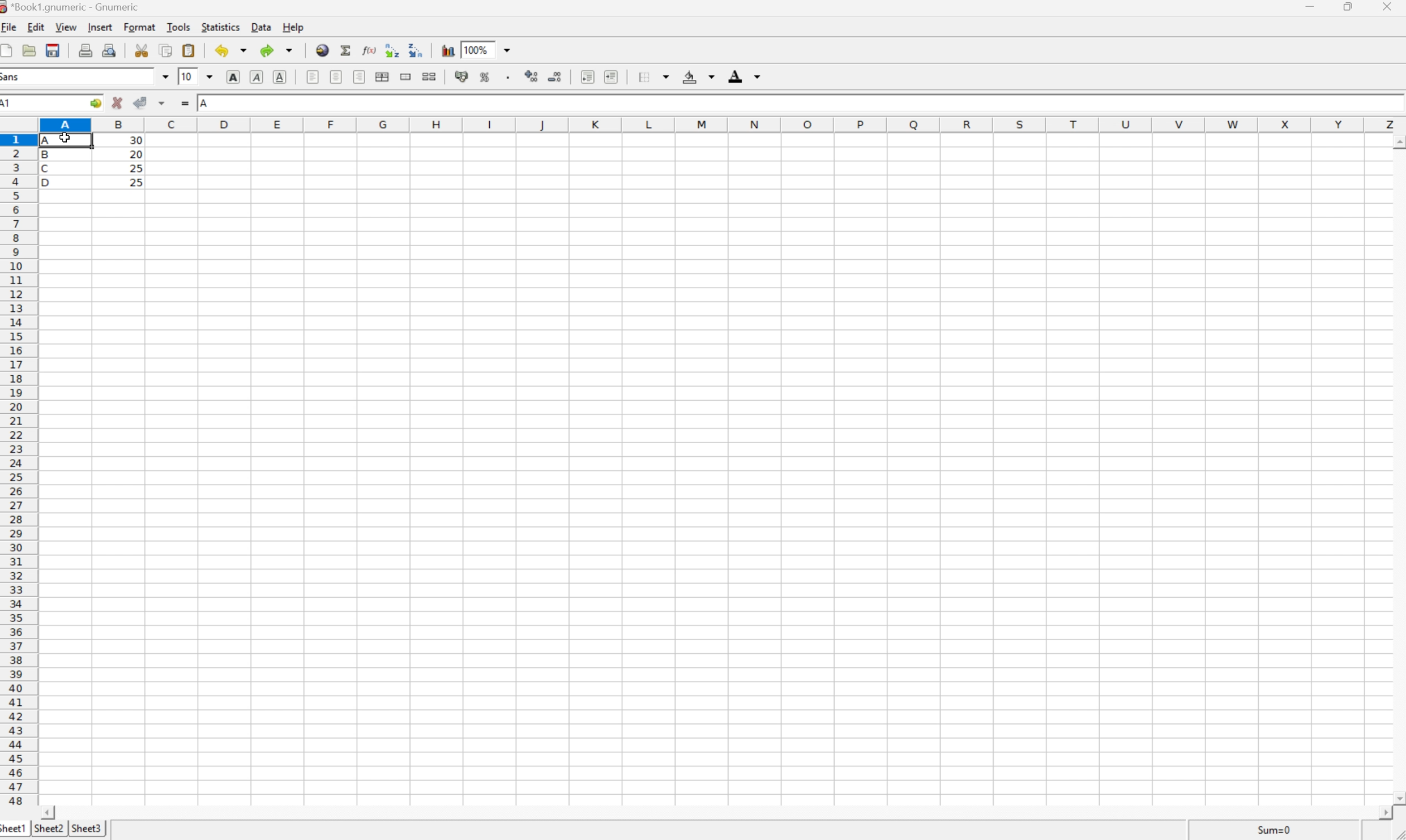 This screenshot has width=1406, height=840. I want to click on Scroll Down, so click(1397, 797).